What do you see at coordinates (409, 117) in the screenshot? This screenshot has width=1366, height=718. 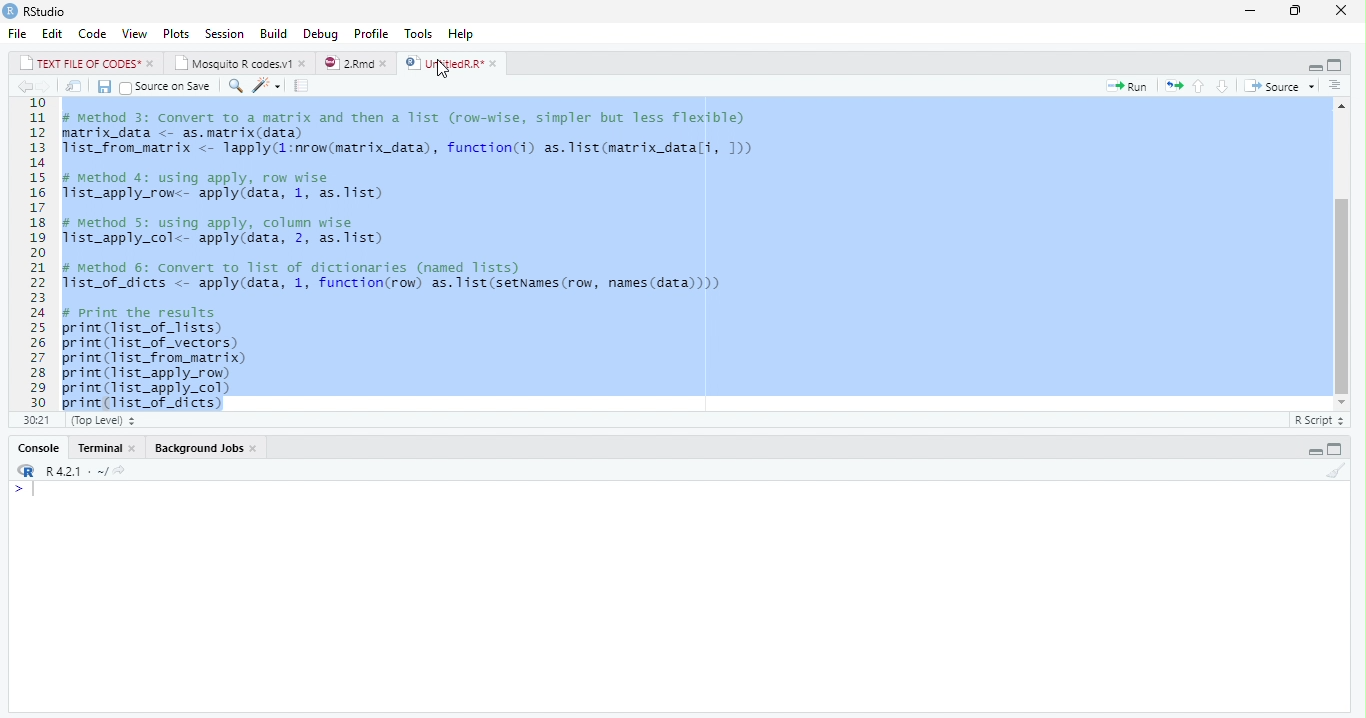 I see `# Method 3: Convert to a matrix and then a 11st (row-wise, simpler but less Tlexible)` at bounding box center [409, 117].